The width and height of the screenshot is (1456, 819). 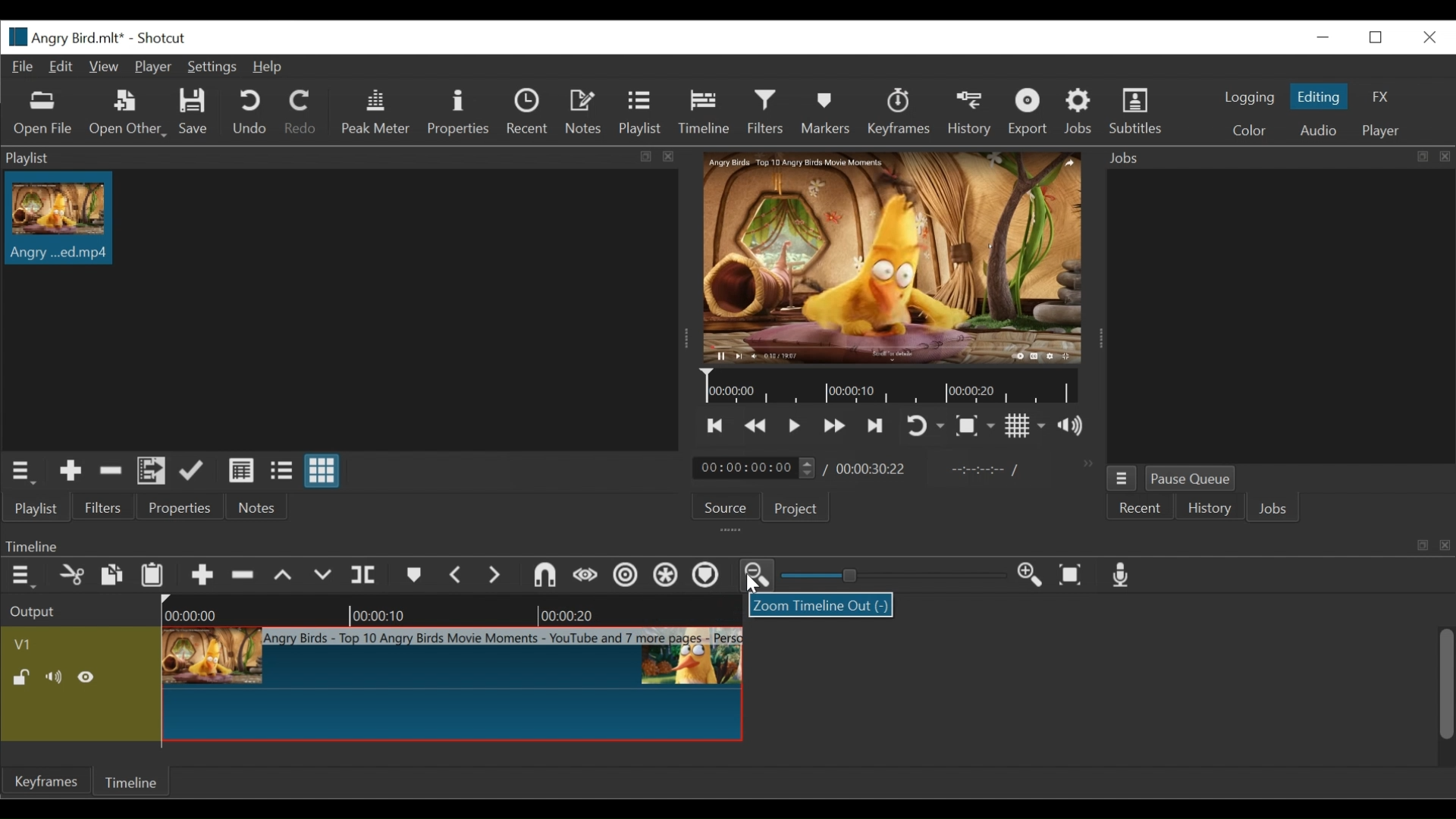 What do you see at coordinates (756, 427) in the screenshot?
I see `Play backward quickly` at bounding box center [756, 427].